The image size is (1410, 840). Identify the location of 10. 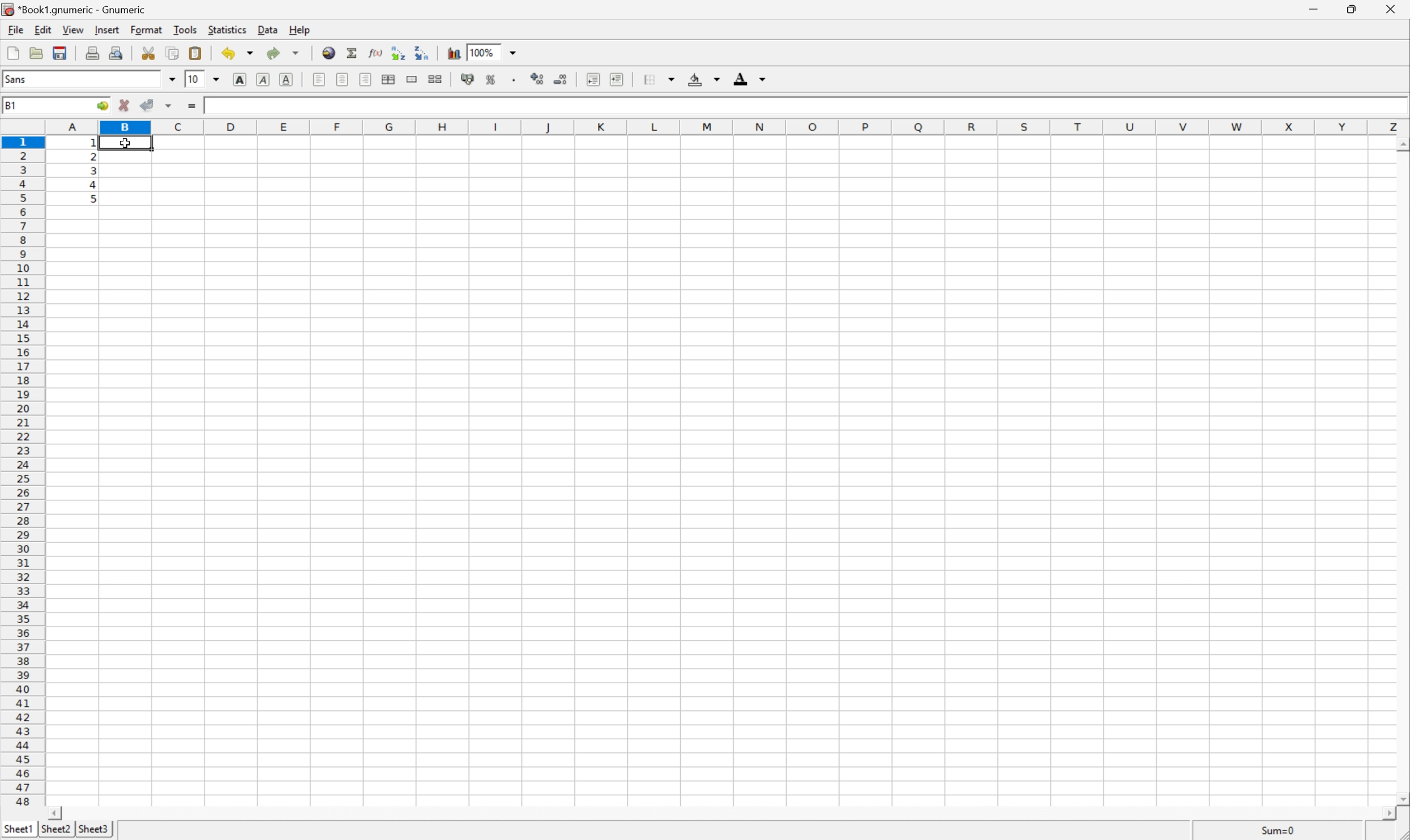
(195, 79).